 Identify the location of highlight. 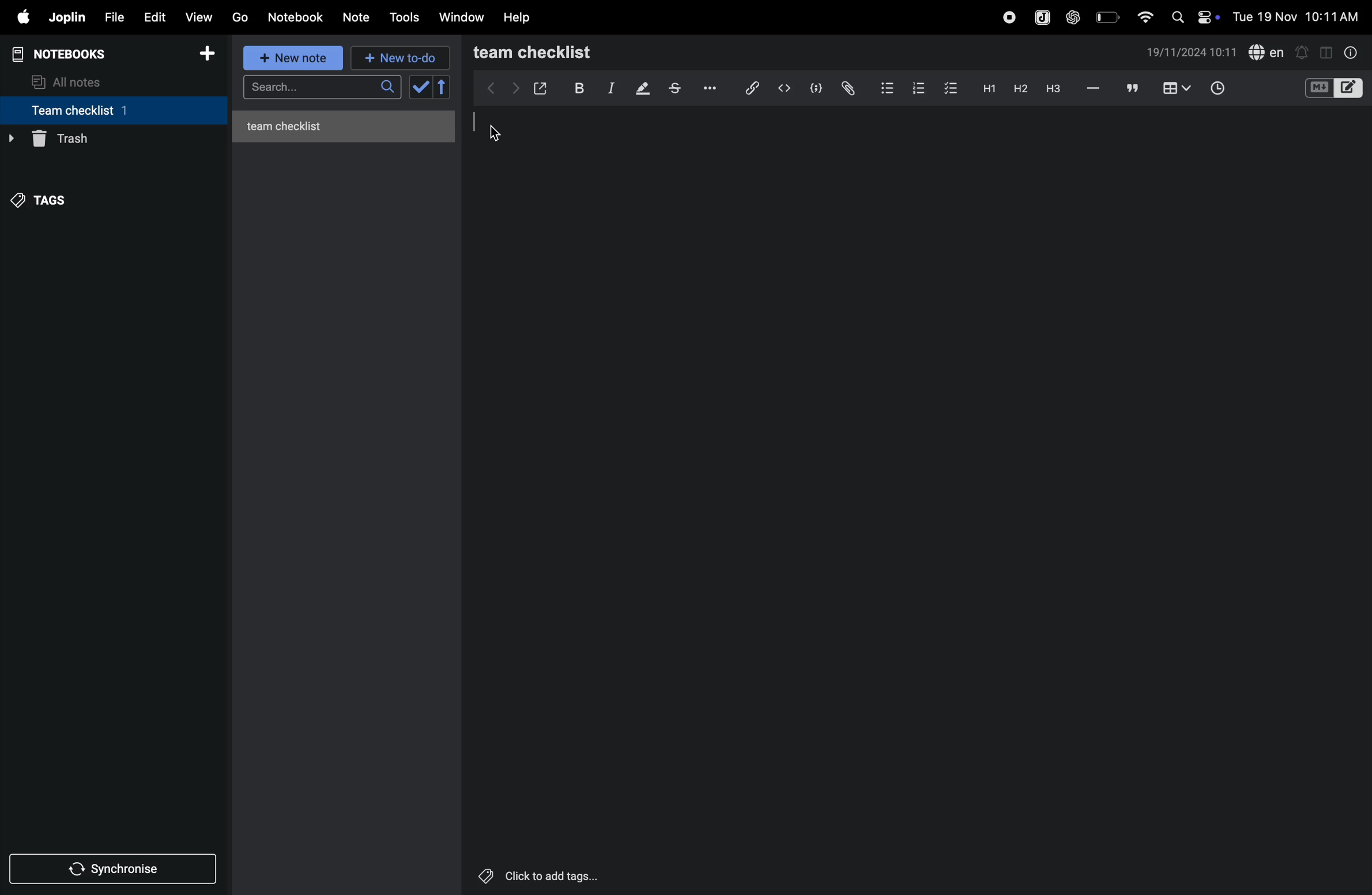
(641, 89).